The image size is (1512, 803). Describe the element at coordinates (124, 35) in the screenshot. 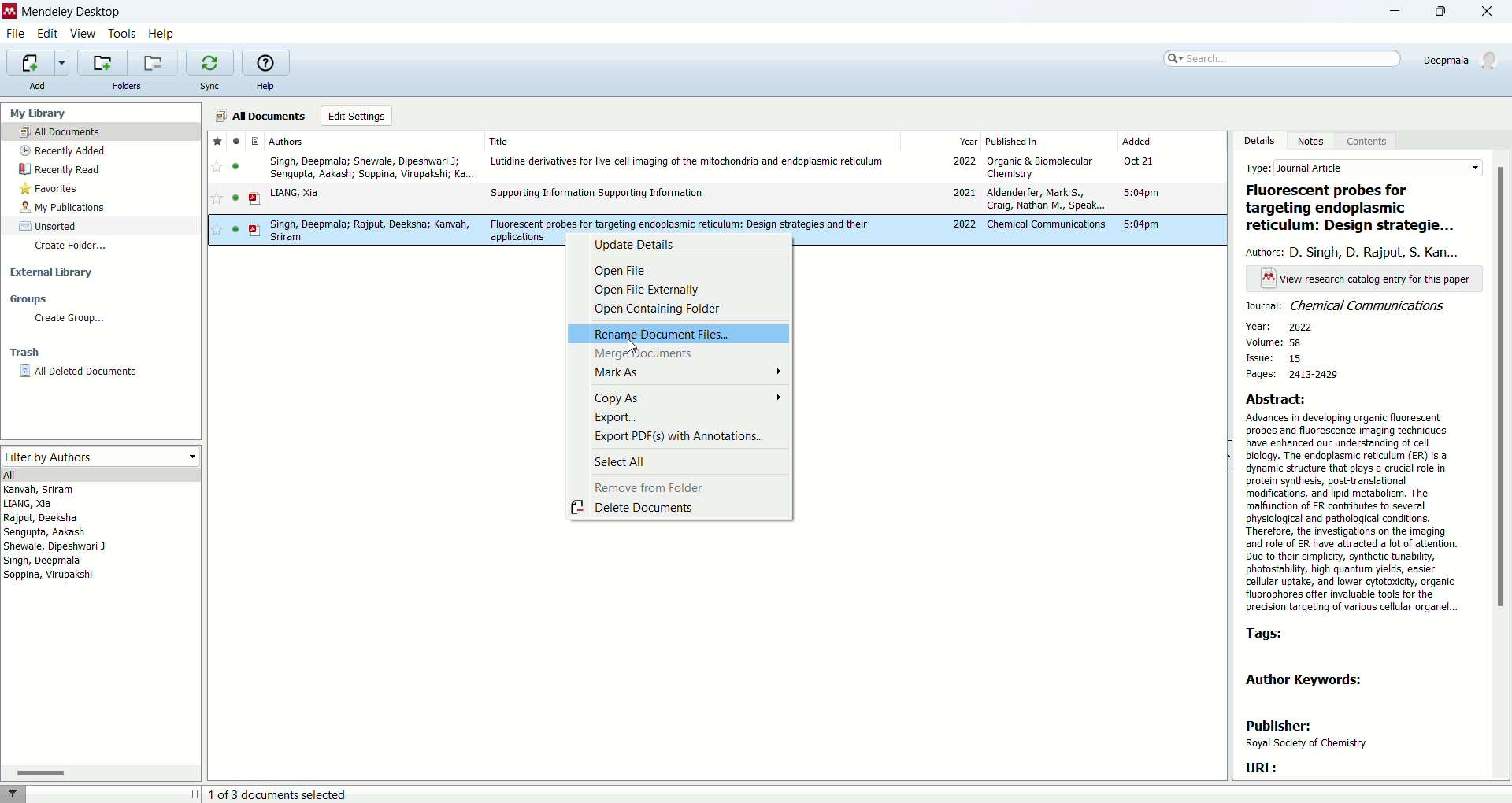

I see `tools` at that location.